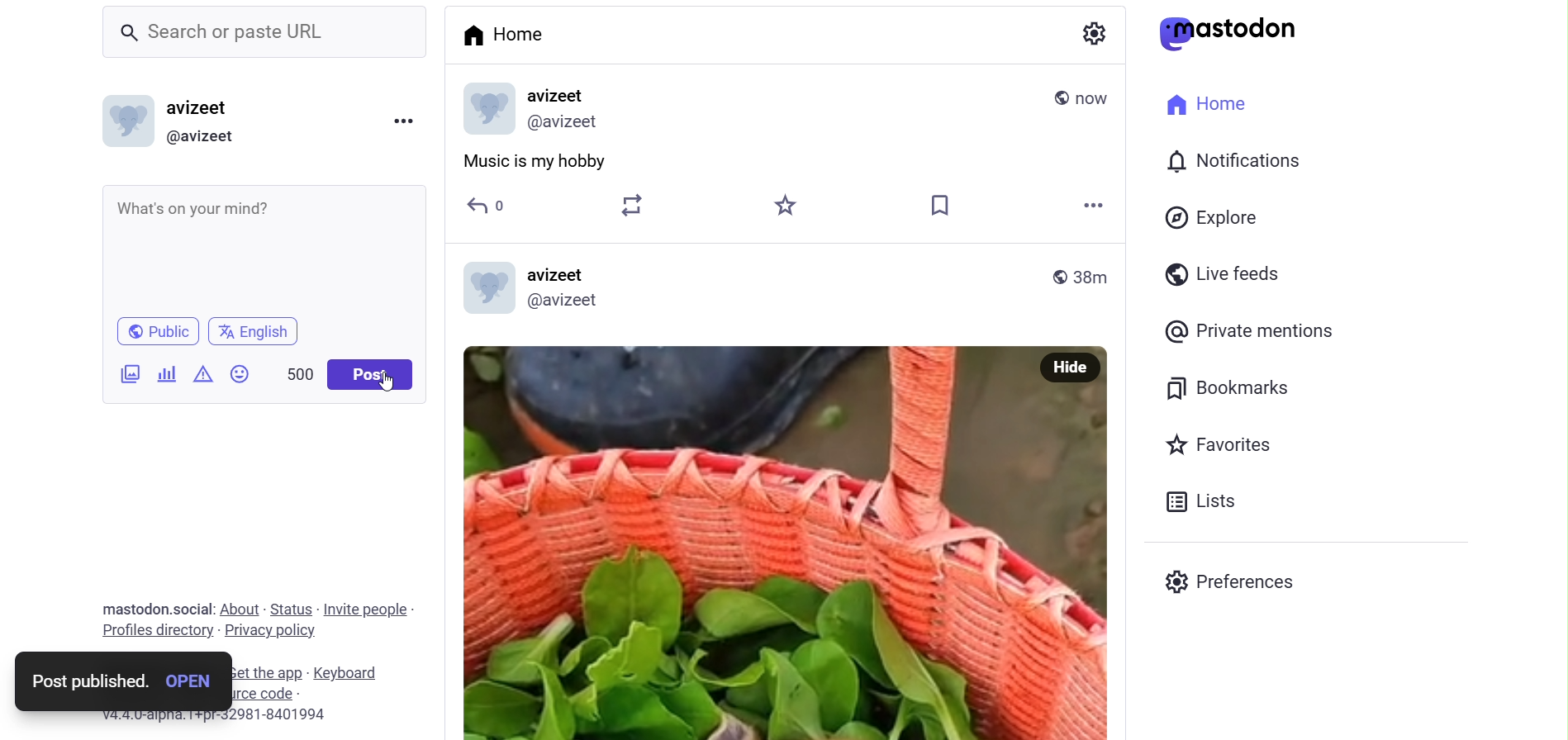 Image resolution: width=1568 pixels, height=740 pixels. What do you see at coordinates (486, 107) in the screenshot?
I see `display picture` at bounding box center [486, 107].